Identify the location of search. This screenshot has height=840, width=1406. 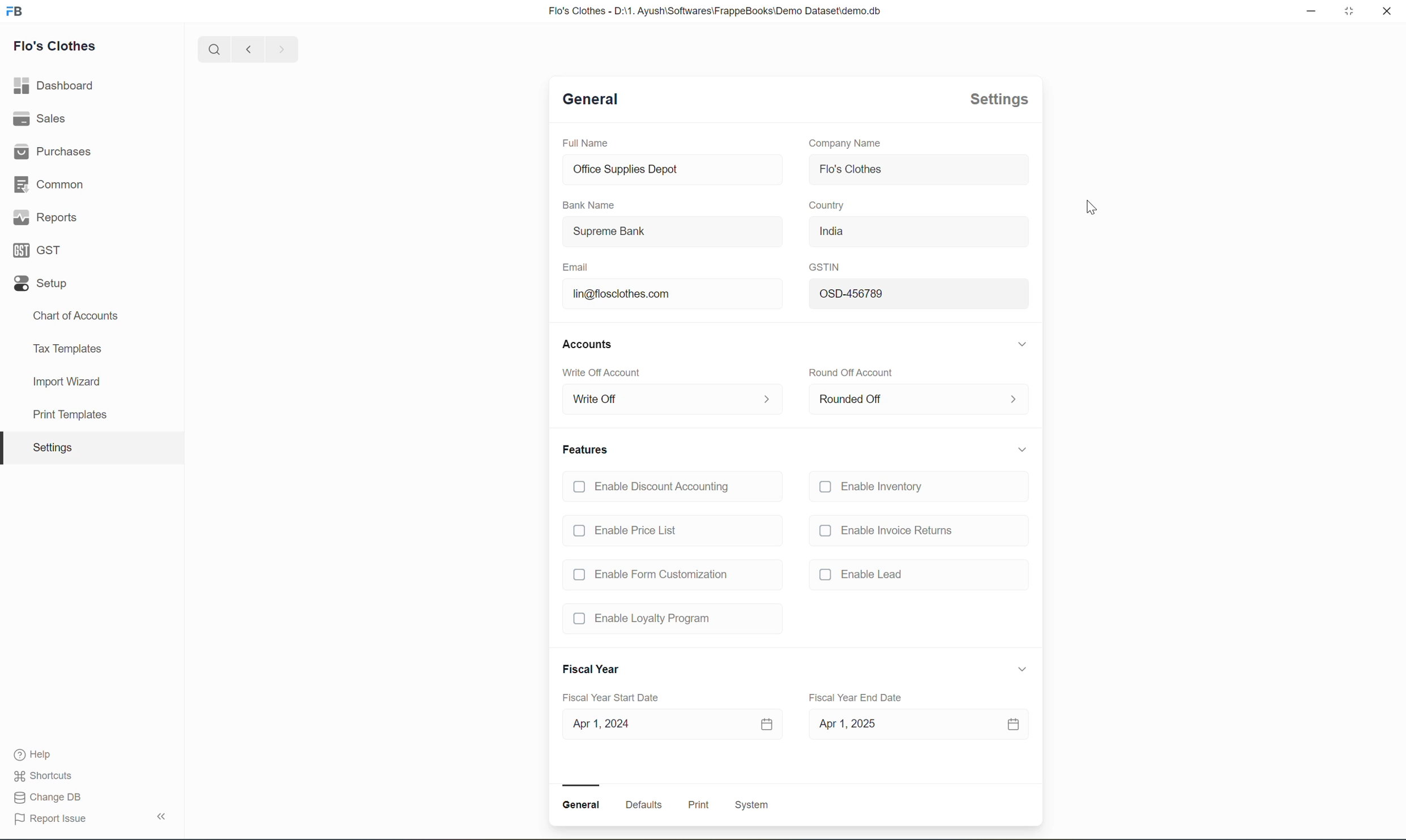
(216, 49).